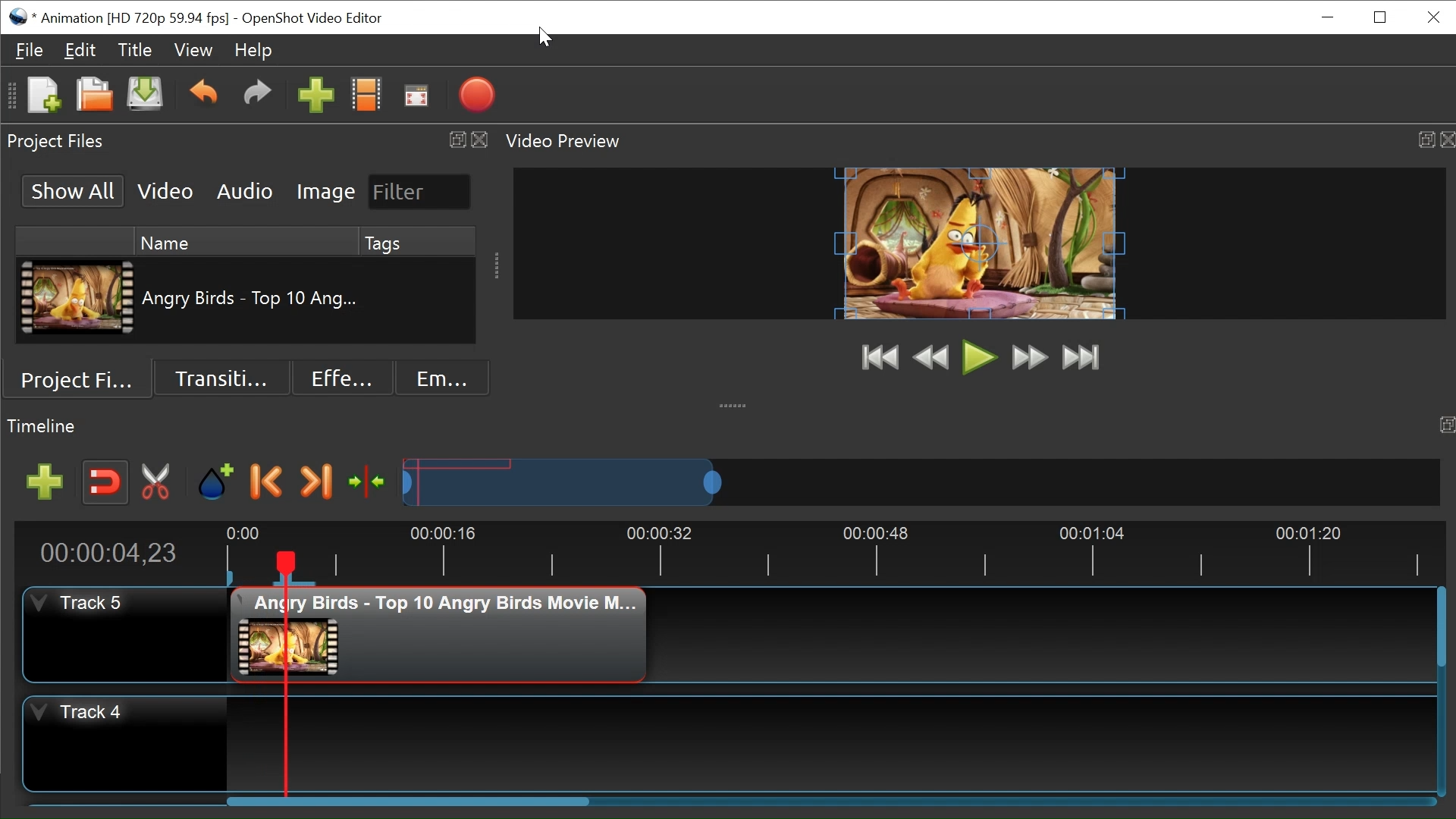 The image size is (1456, 819). Describe the element at coordinates (130, 19) in the screenshot. I see `Project Name` at that location.